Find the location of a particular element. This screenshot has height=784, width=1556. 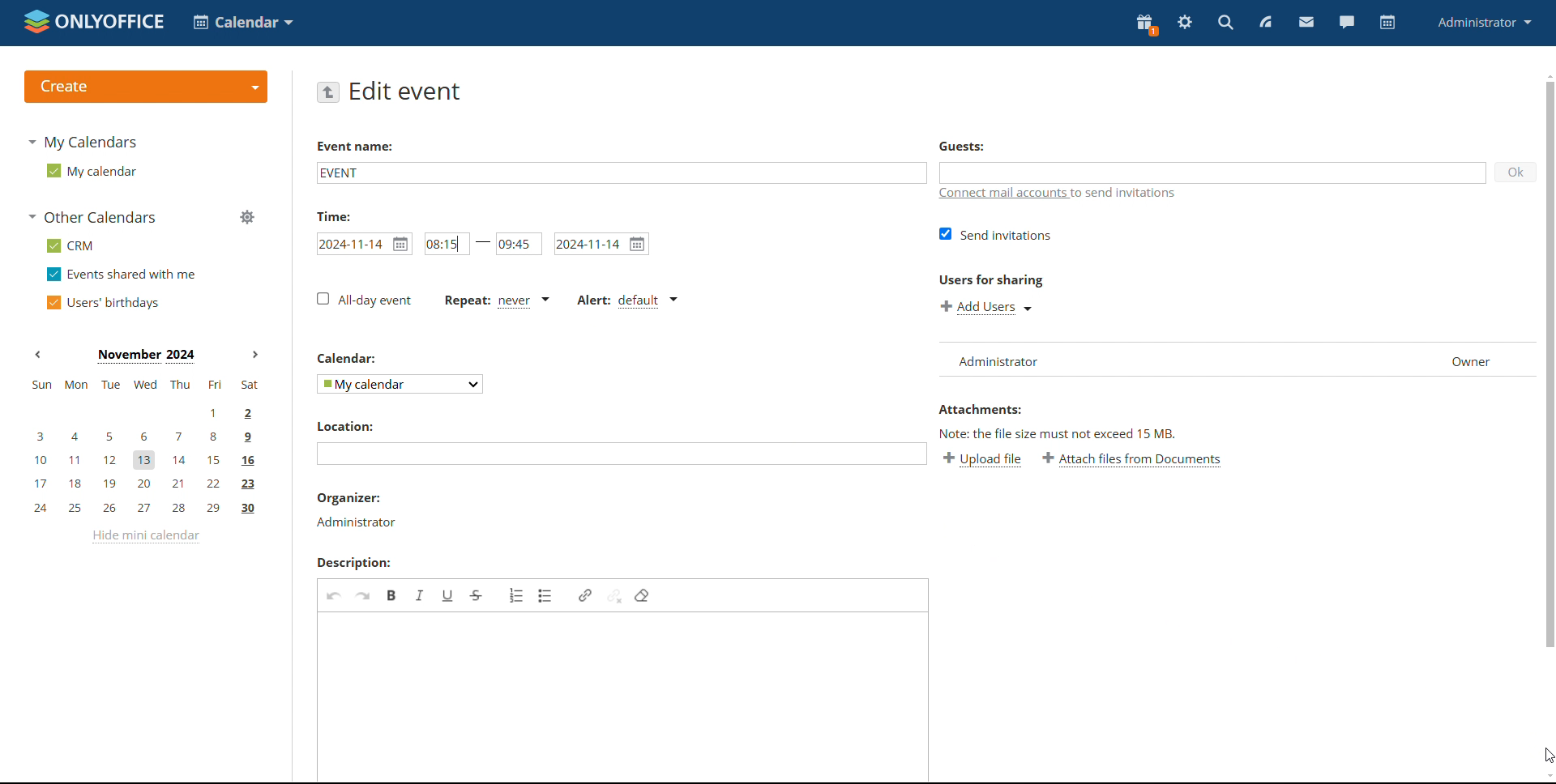

create is located at coordinates (144, 87).